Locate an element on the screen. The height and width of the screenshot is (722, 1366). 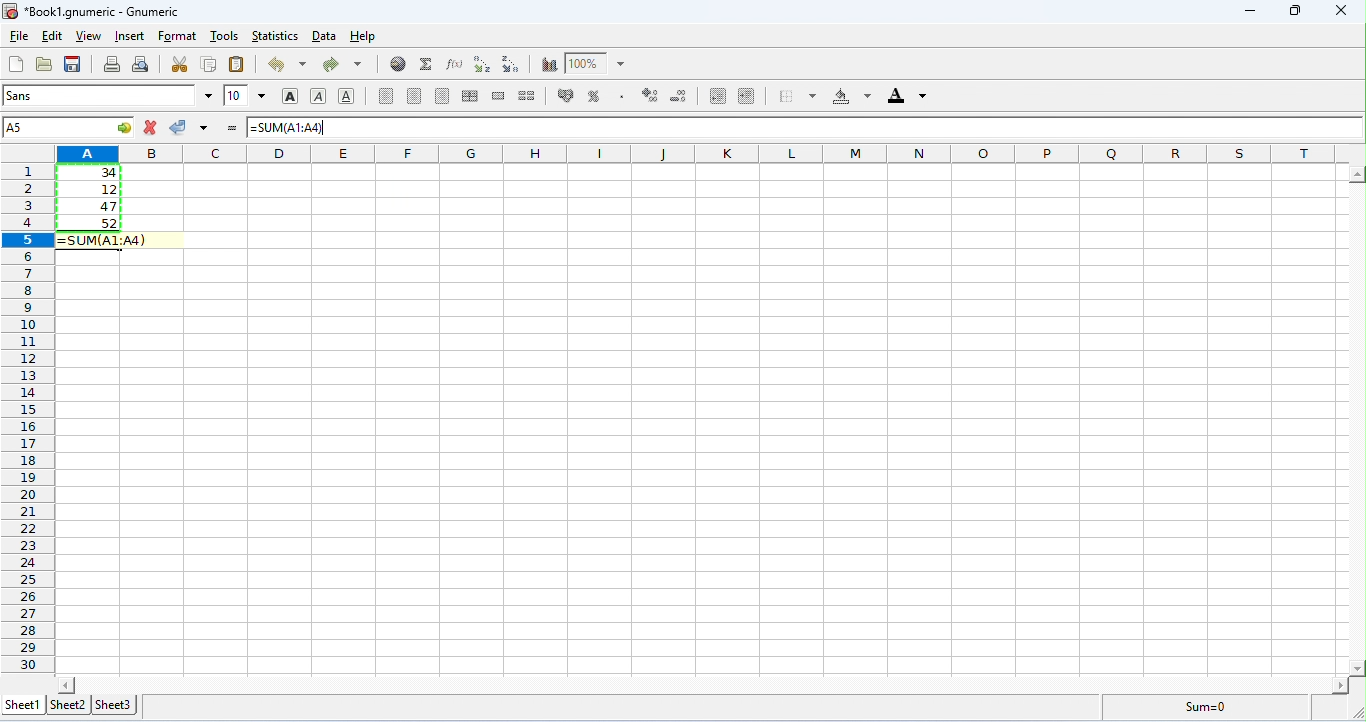
selected cell number is located at coordinates (69, 127).